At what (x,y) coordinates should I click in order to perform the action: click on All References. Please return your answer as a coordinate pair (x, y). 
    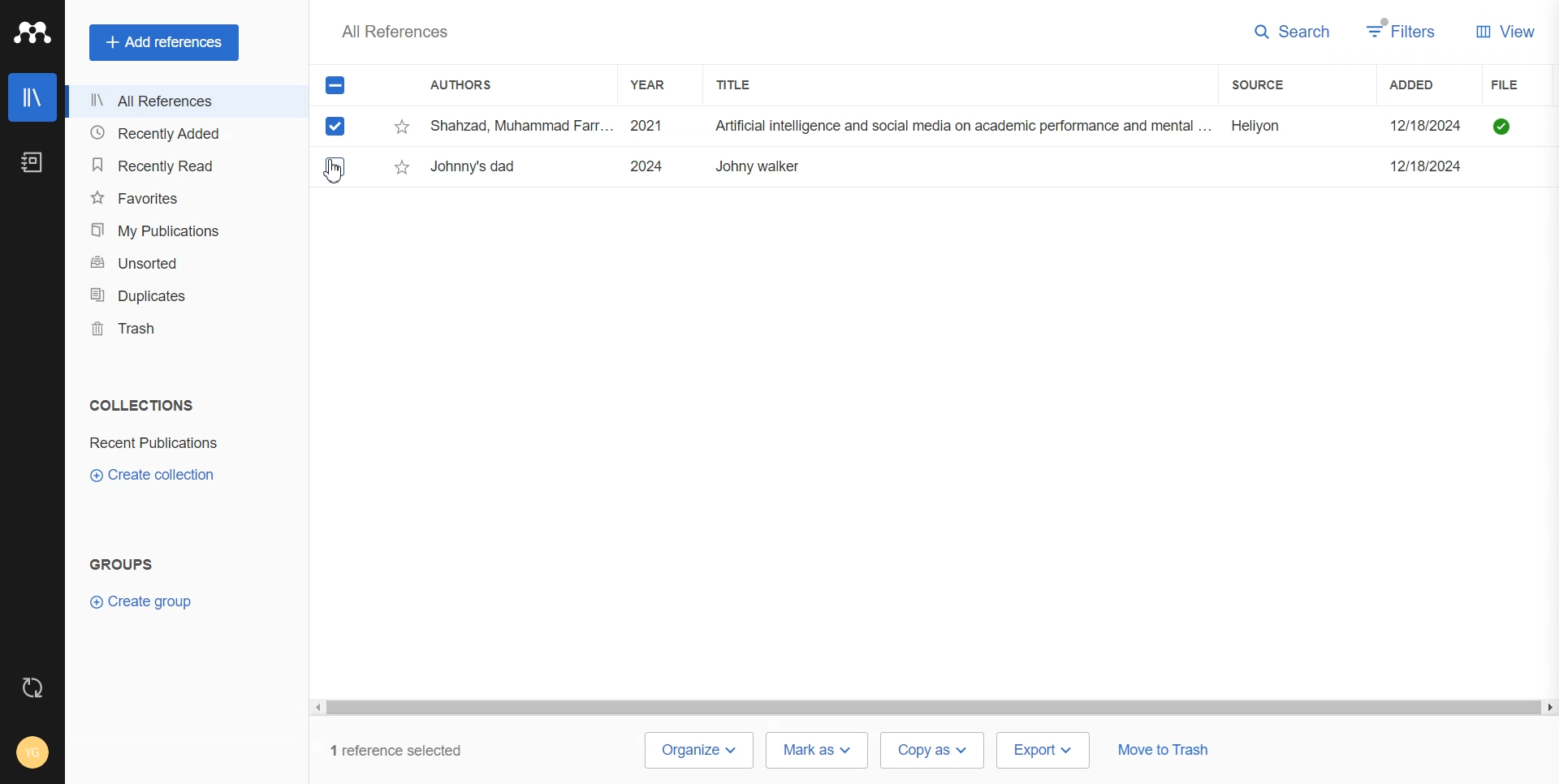
    Looking at the image, I should click on (181, 101).